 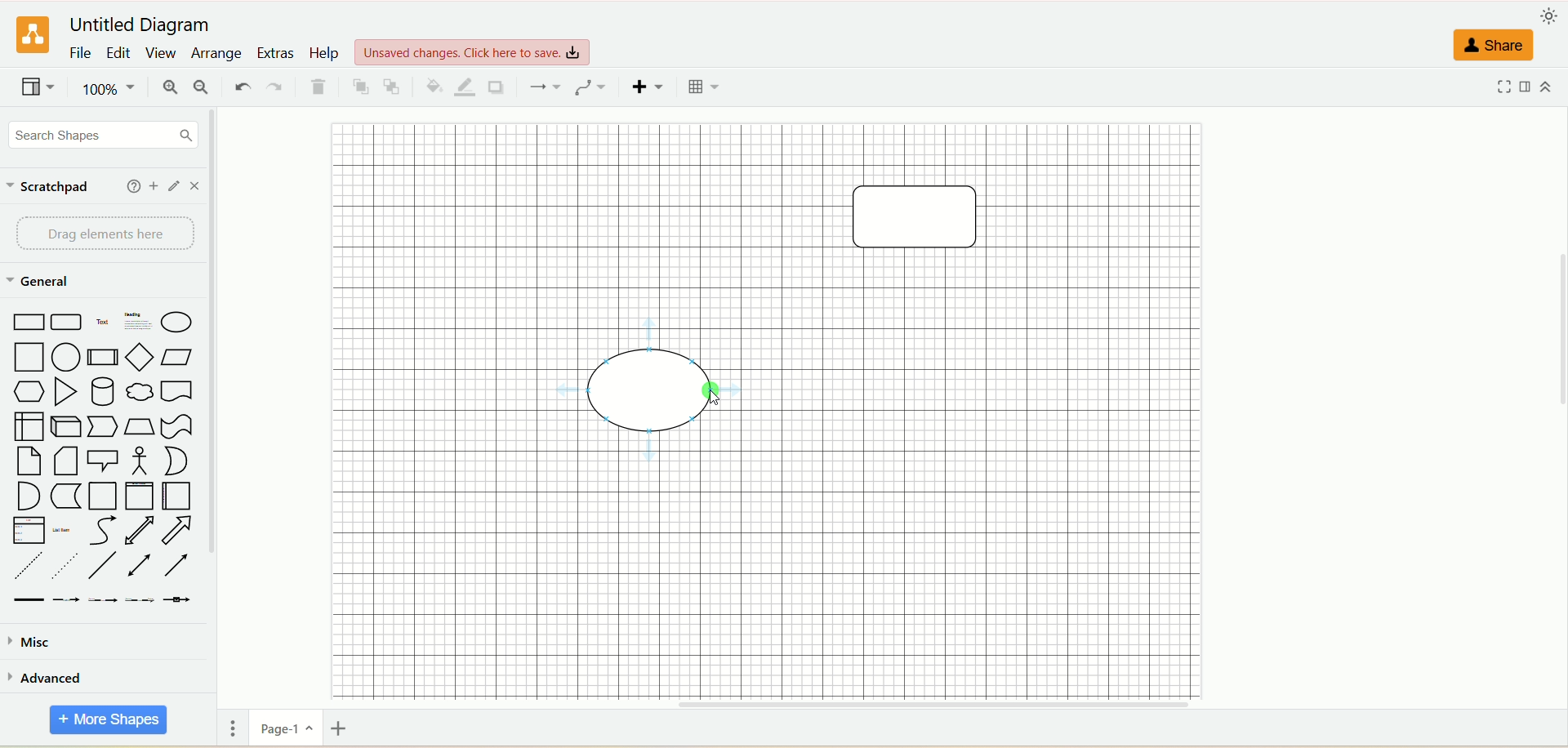 I want to click on musc, so click(x=28, y=641).